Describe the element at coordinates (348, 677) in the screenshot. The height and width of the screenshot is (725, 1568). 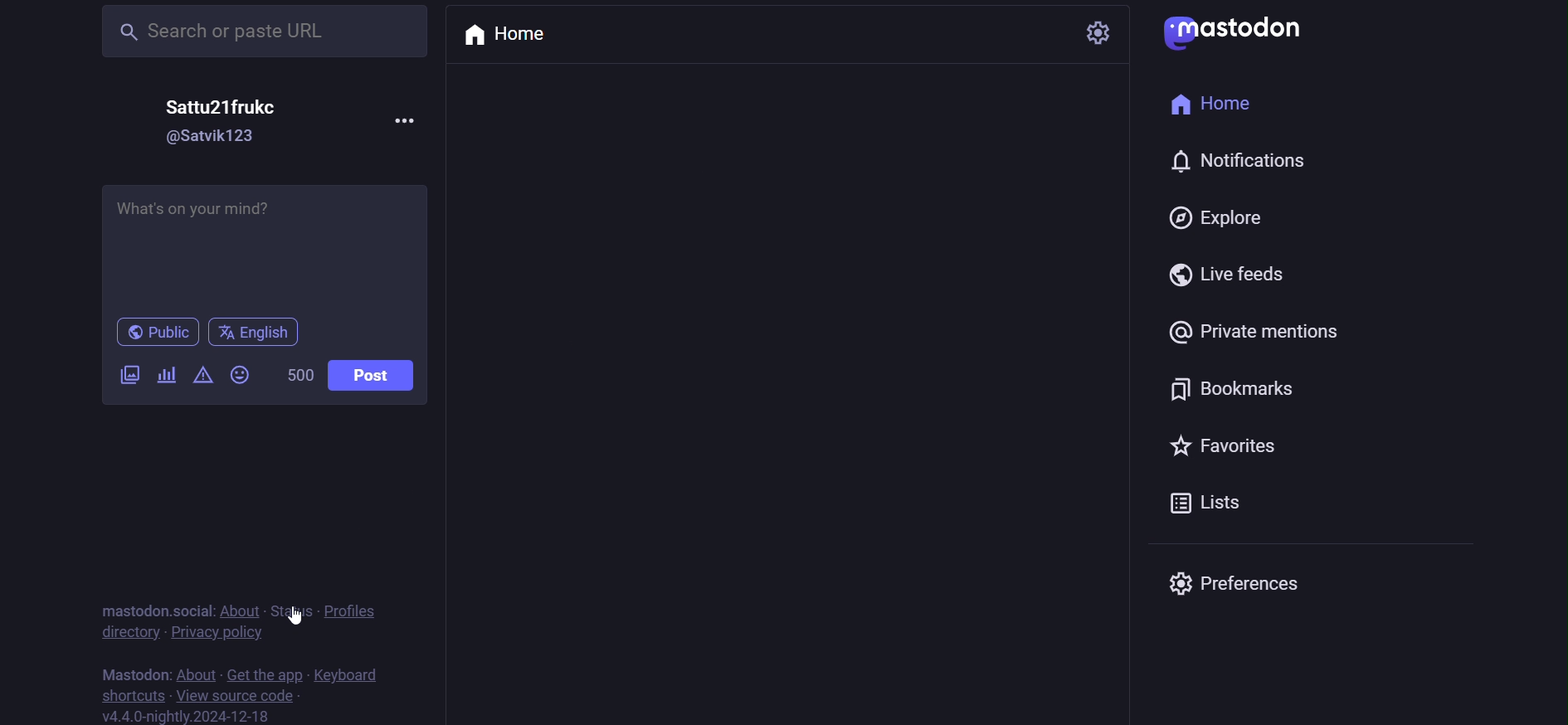
I see `keyboard` at that location.